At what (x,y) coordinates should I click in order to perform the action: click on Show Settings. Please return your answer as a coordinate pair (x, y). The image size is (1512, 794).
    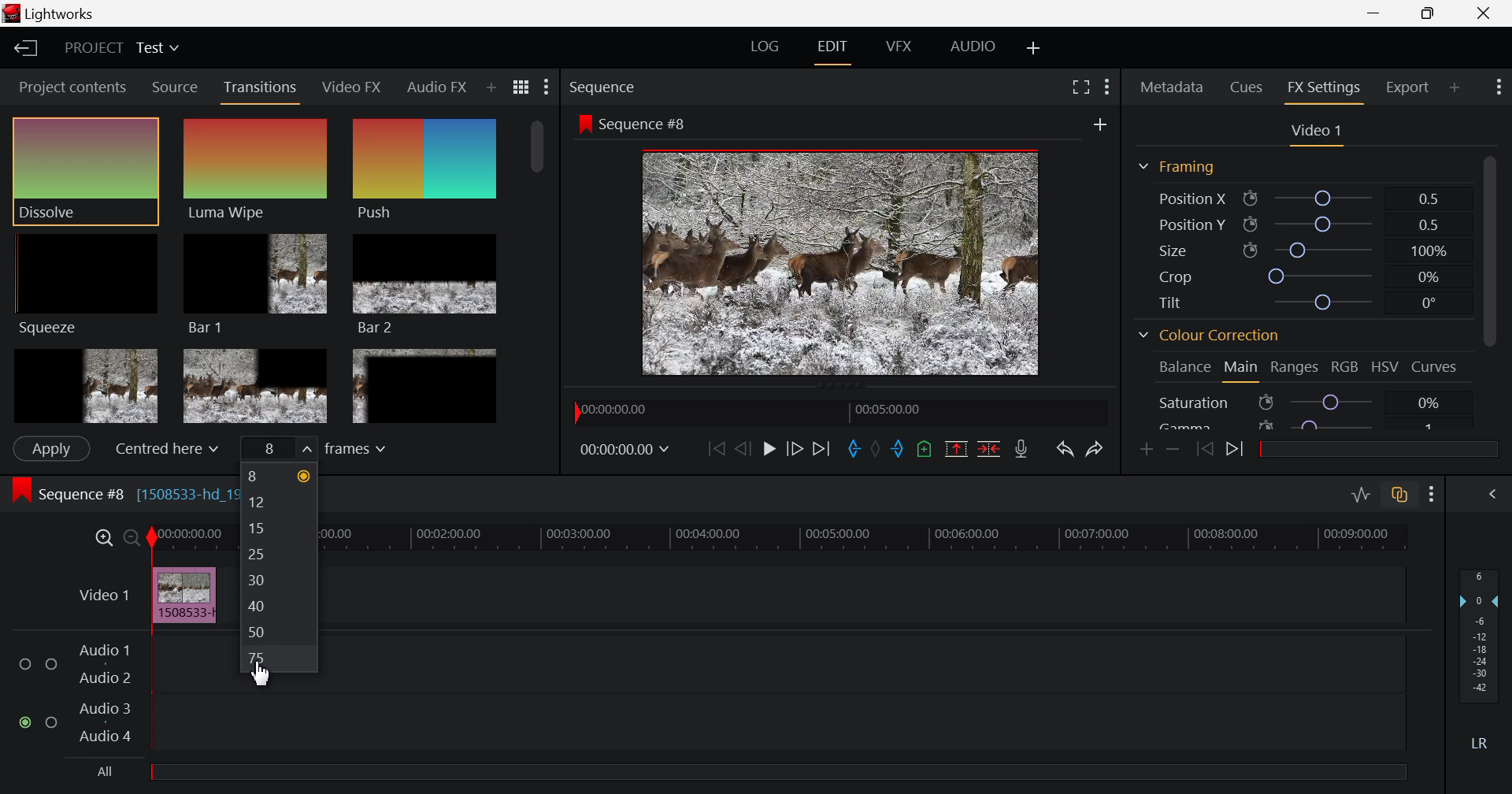
    Looking at the image, I should click on (544, 89).